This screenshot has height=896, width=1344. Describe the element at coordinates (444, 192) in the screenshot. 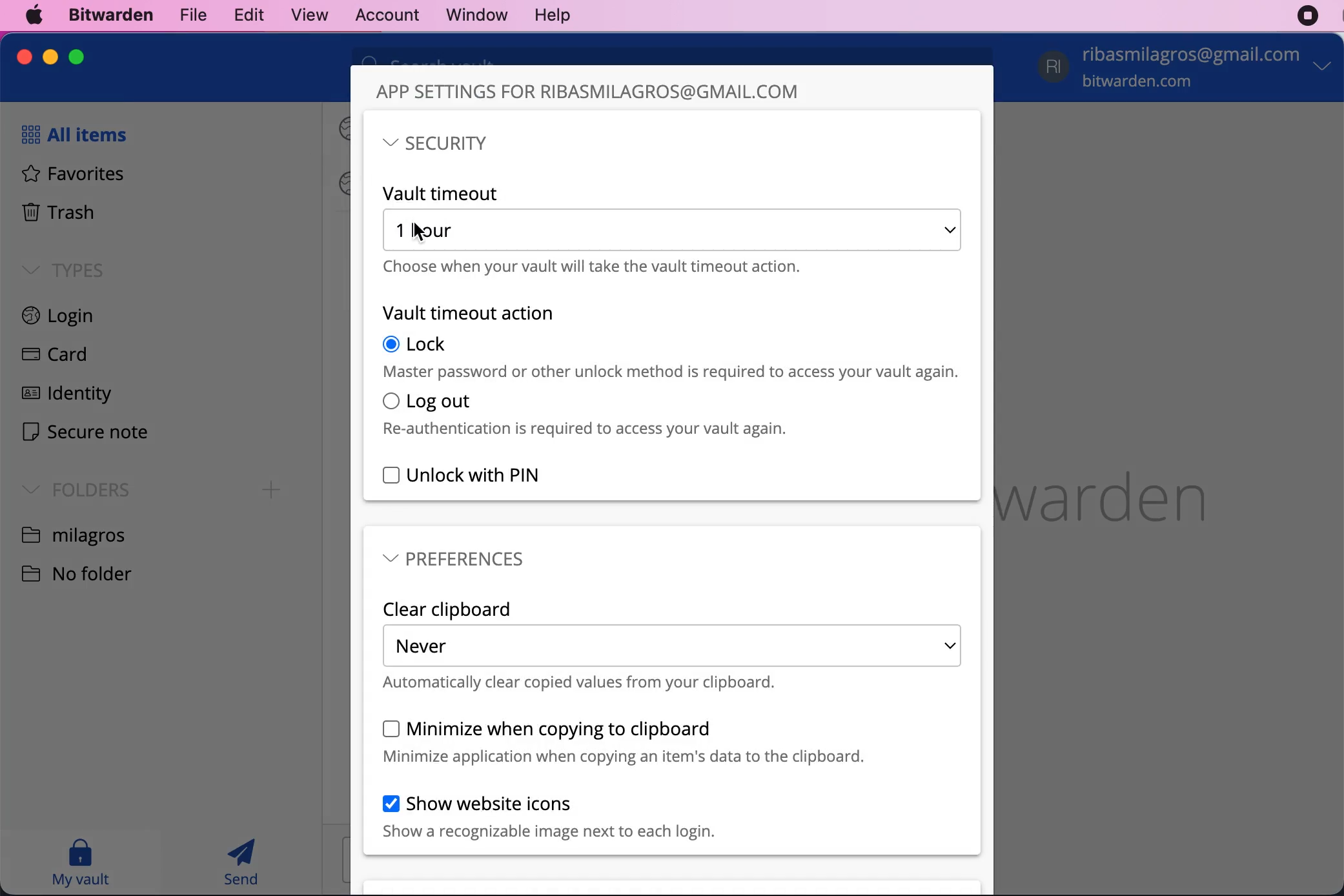

I see `vault timeout` at that location.